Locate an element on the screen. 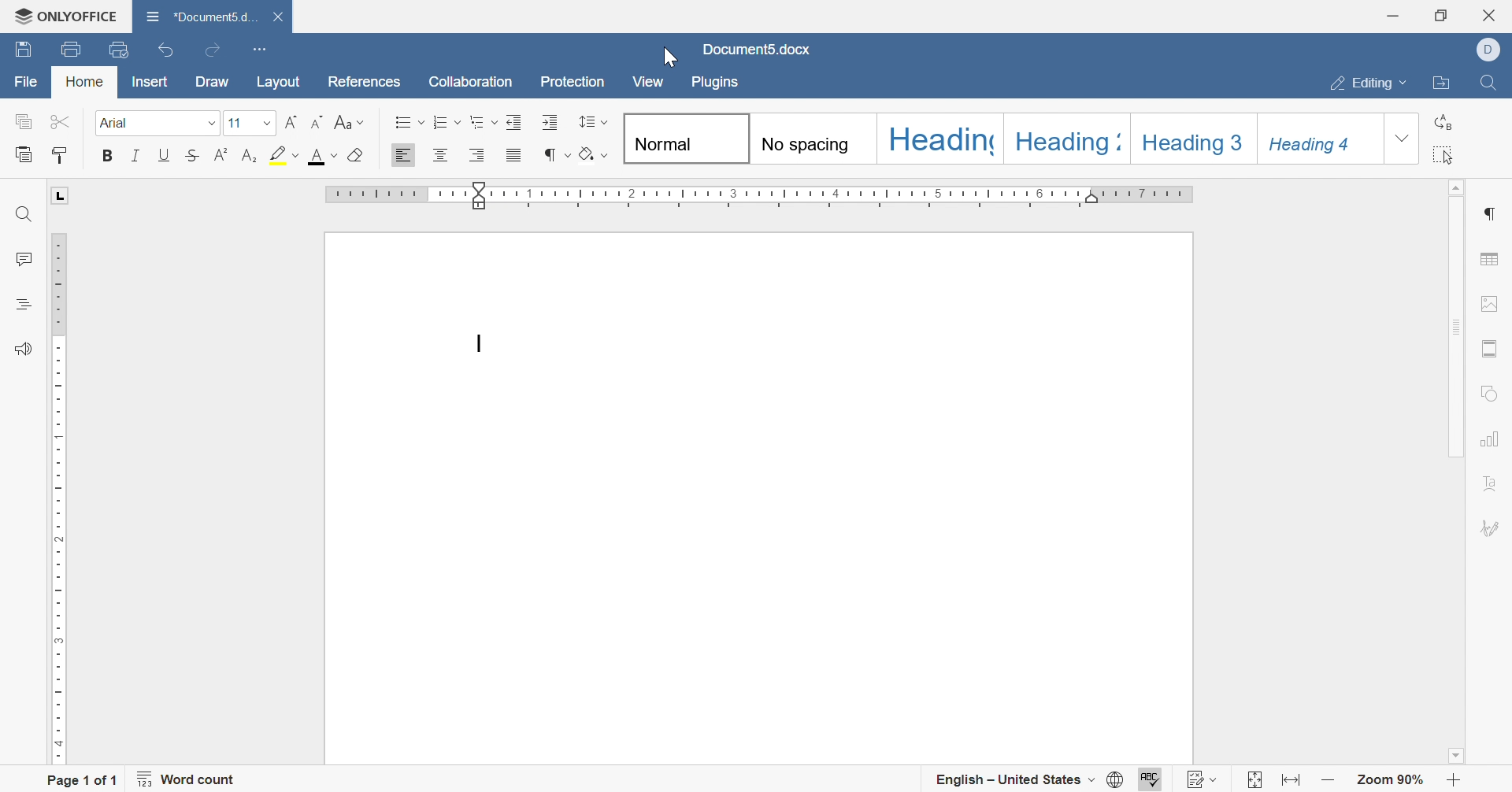 This screenshot has width=1512, height=792. font is located at coordinates (118, 122).